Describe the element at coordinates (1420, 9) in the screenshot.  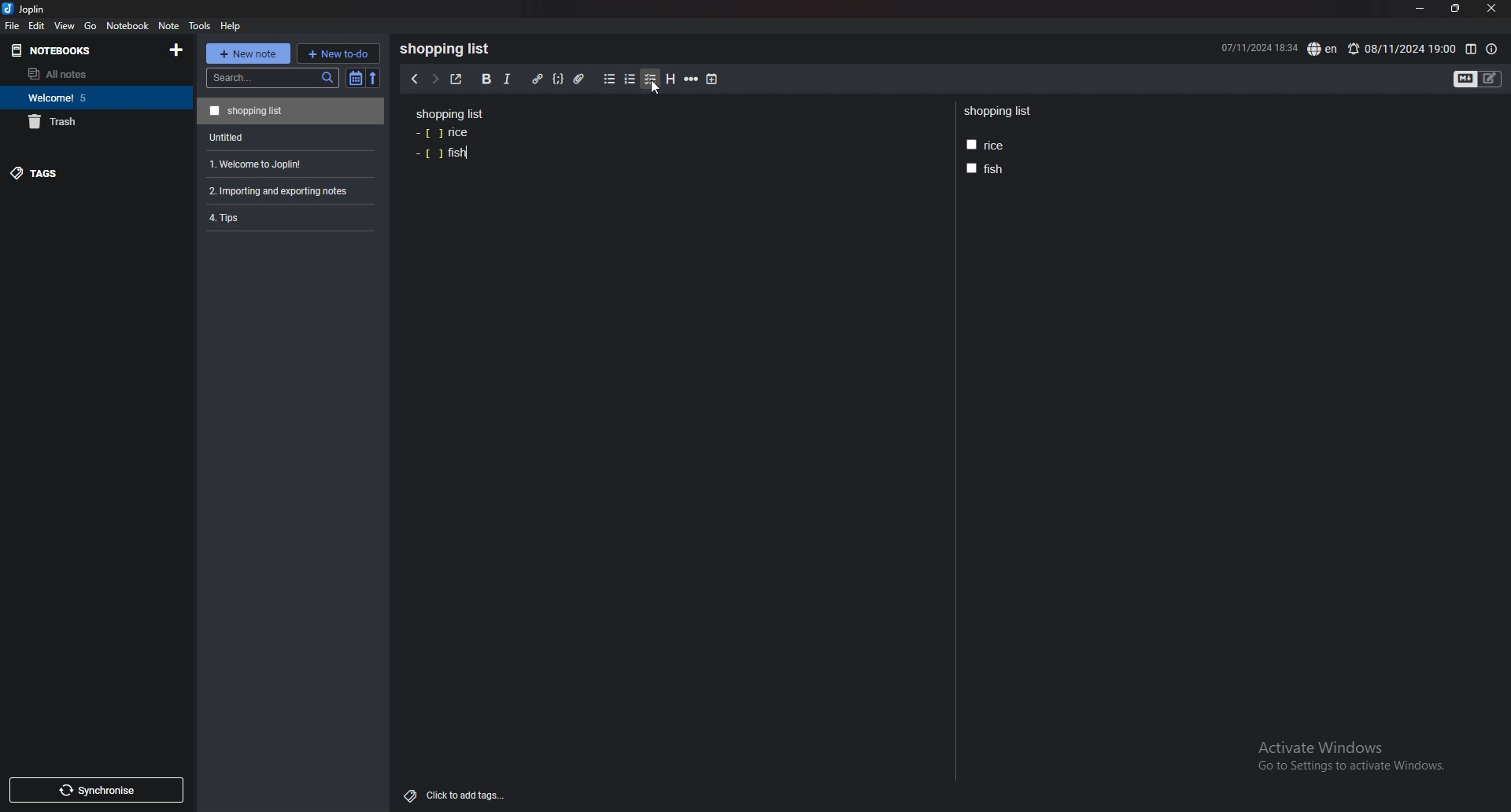
I see `minimize` at that location.